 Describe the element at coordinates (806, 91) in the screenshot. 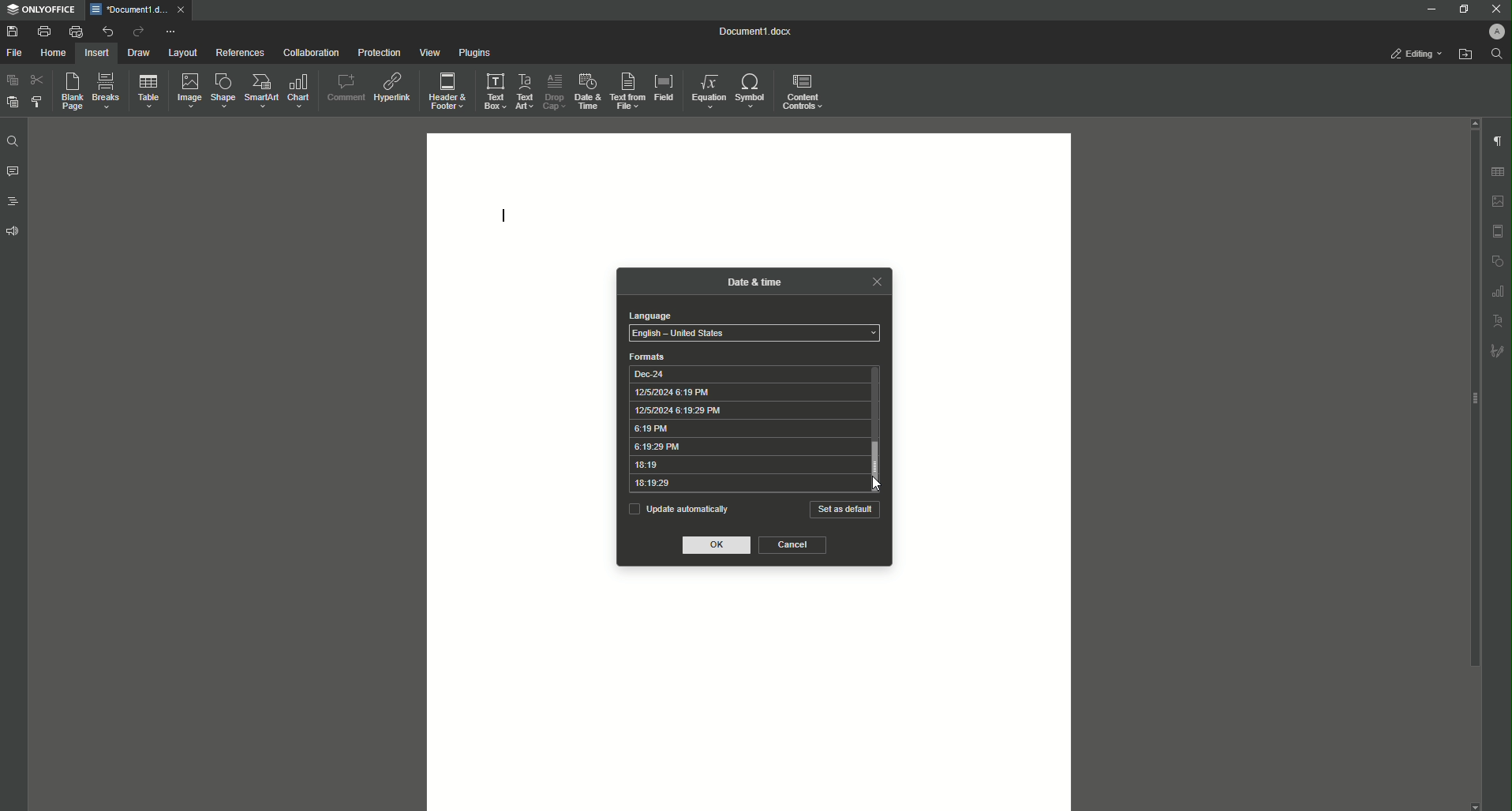

I see `Controls` at that location.